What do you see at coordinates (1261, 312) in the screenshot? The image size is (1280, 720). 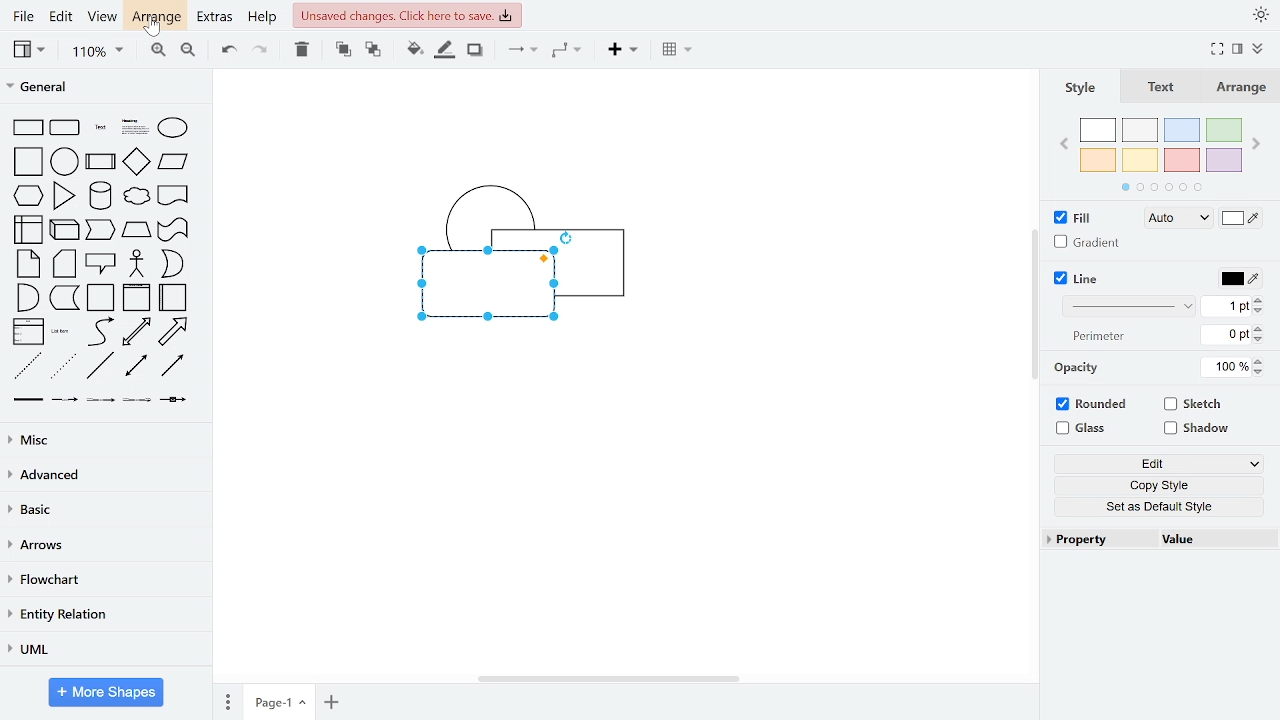 I see `decrease line width` at bounding box center [1261, 312].